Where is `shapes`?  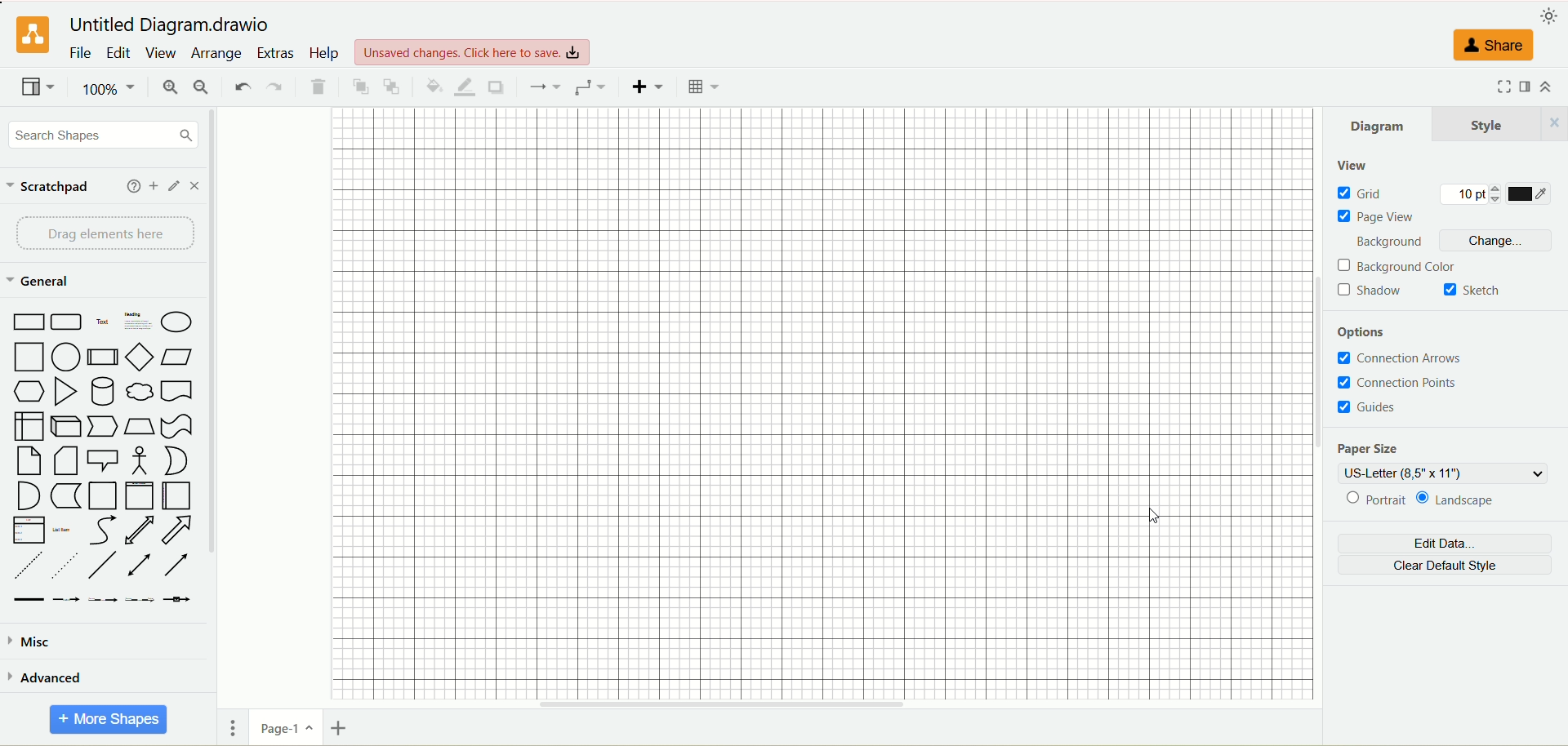 shapes is located at coordinates (102, 459).